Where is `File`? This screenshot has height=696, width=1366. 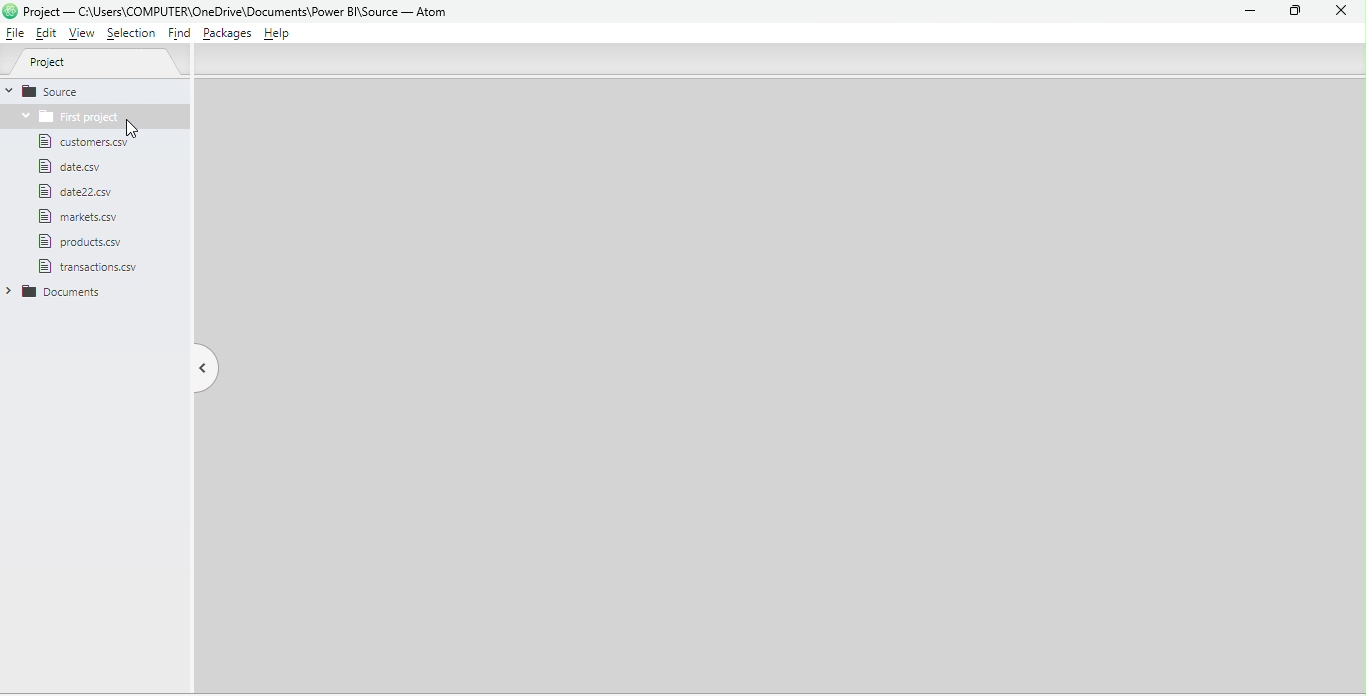
File is located at coordinates (90, 142).